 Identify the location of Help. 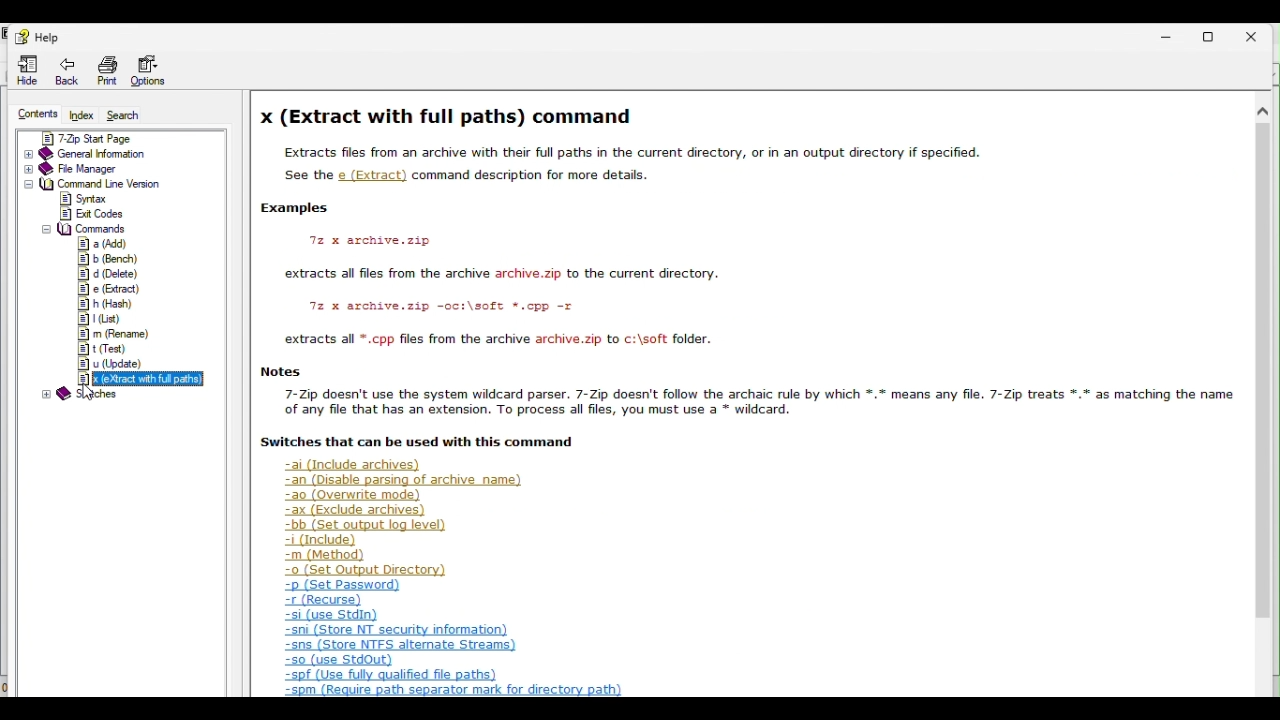
(38, 38).